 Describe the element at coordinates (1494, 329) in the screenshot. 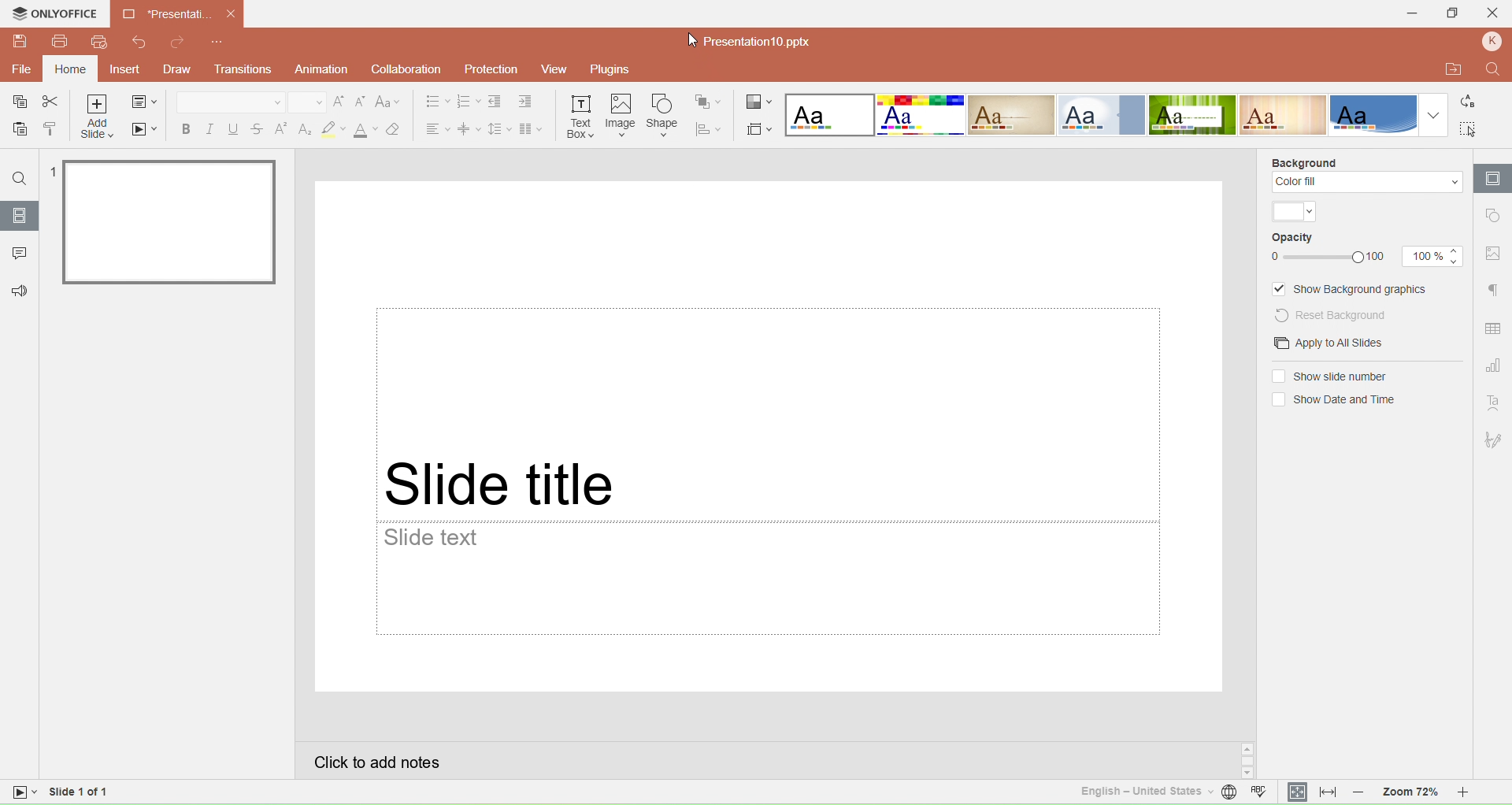

I see `Table setting` at that location.